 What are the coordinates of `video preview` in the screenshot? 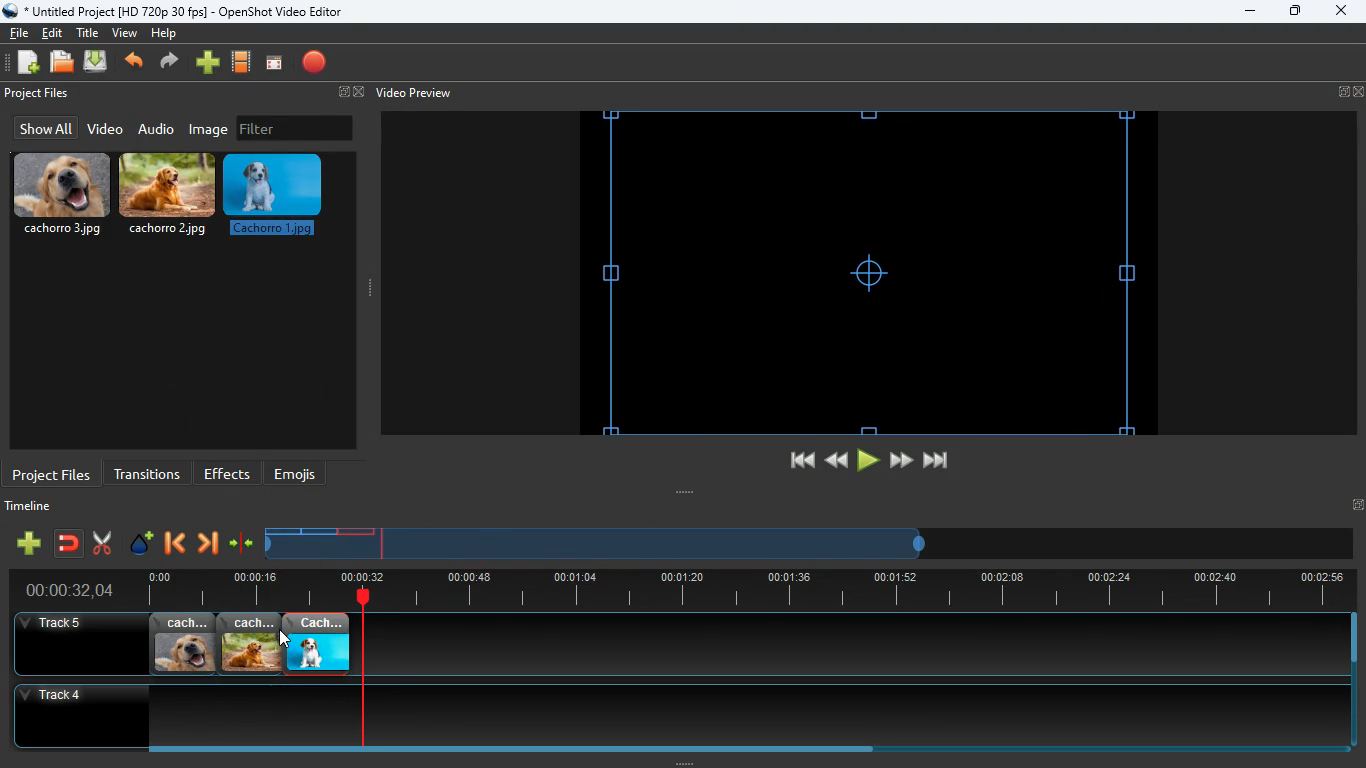 It's located at (412, 93).